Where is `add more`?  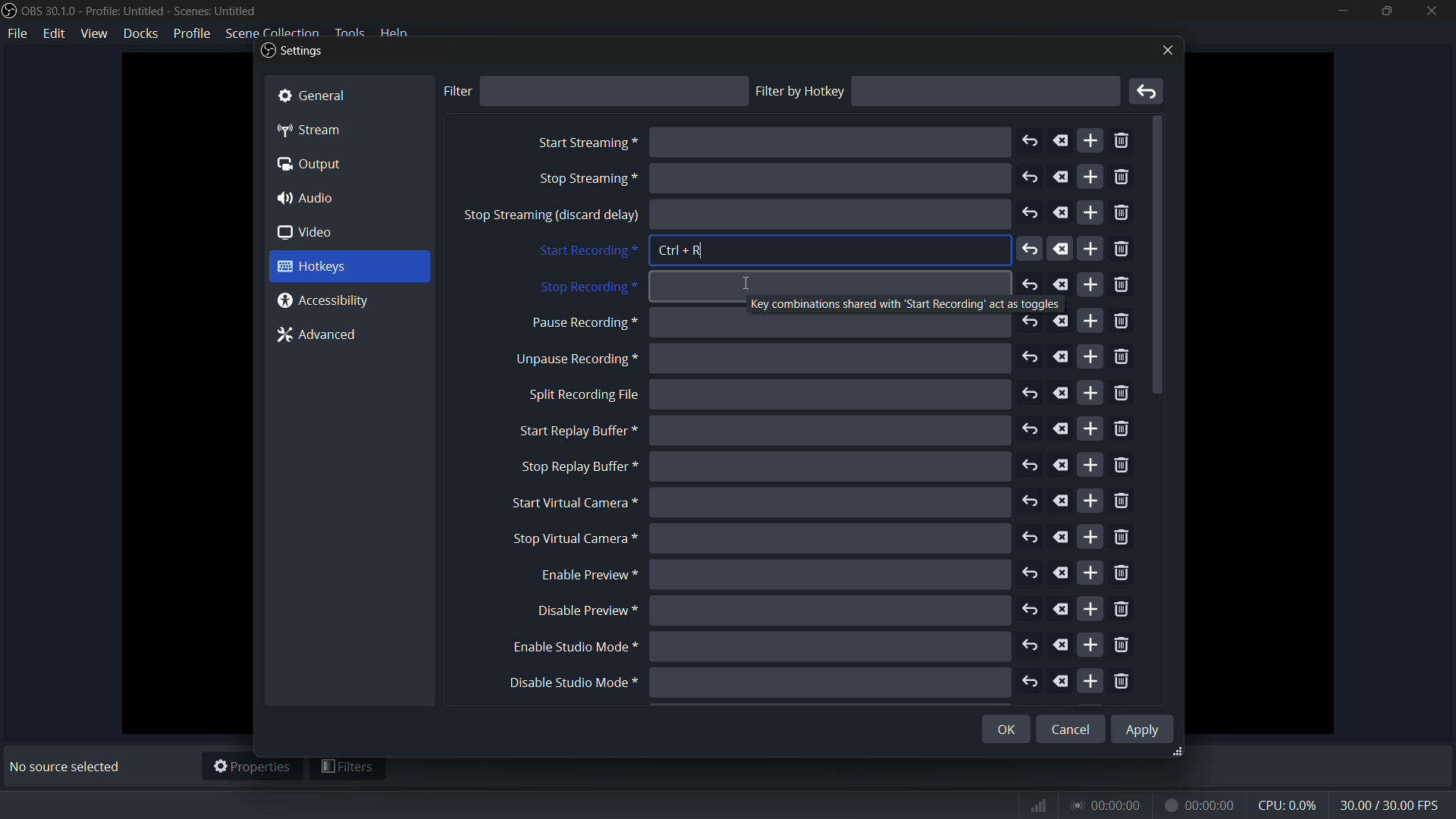
add more is located at coordinates (1091, 392).